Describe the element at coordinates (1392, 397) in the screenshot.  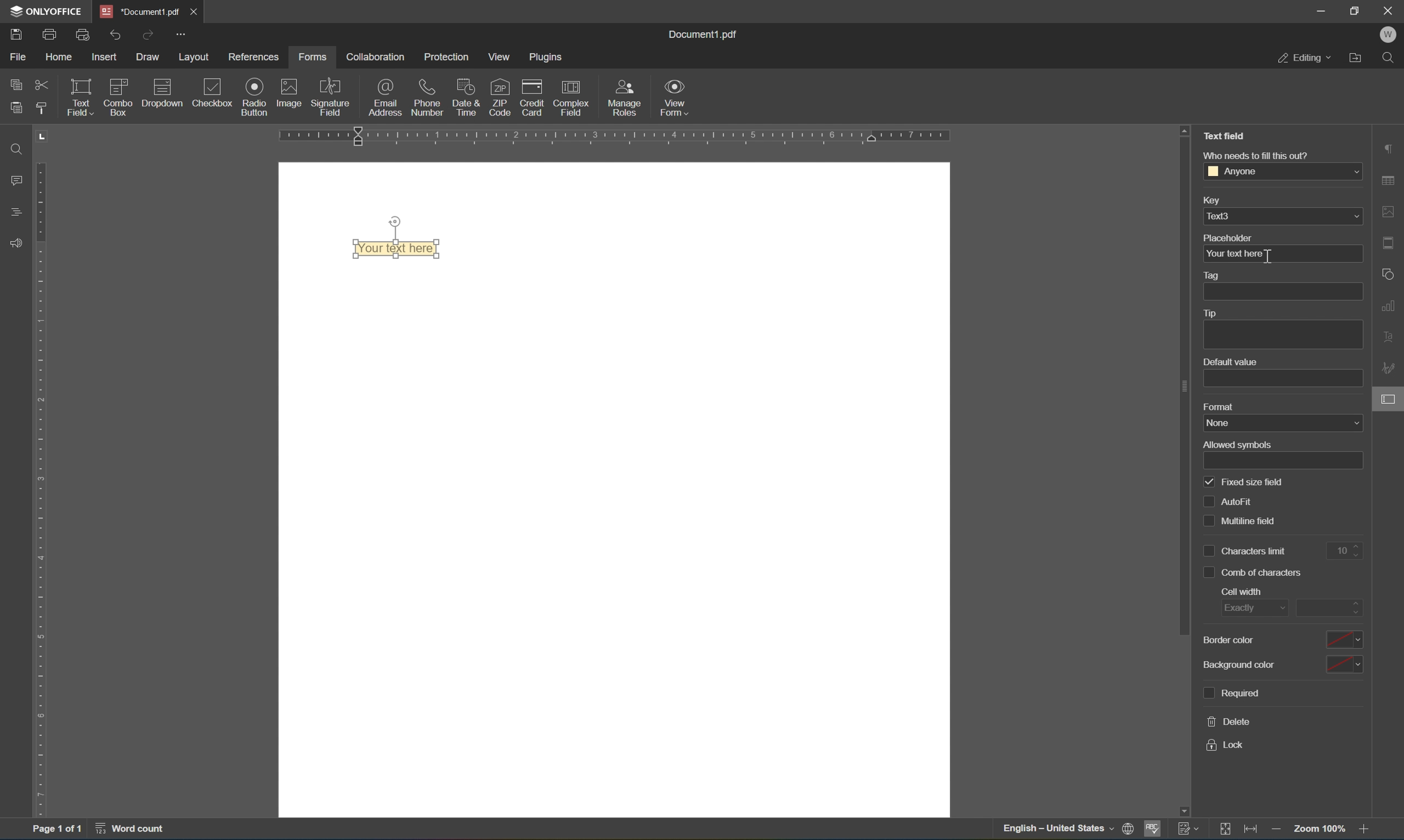
I see `form settings` at that location.